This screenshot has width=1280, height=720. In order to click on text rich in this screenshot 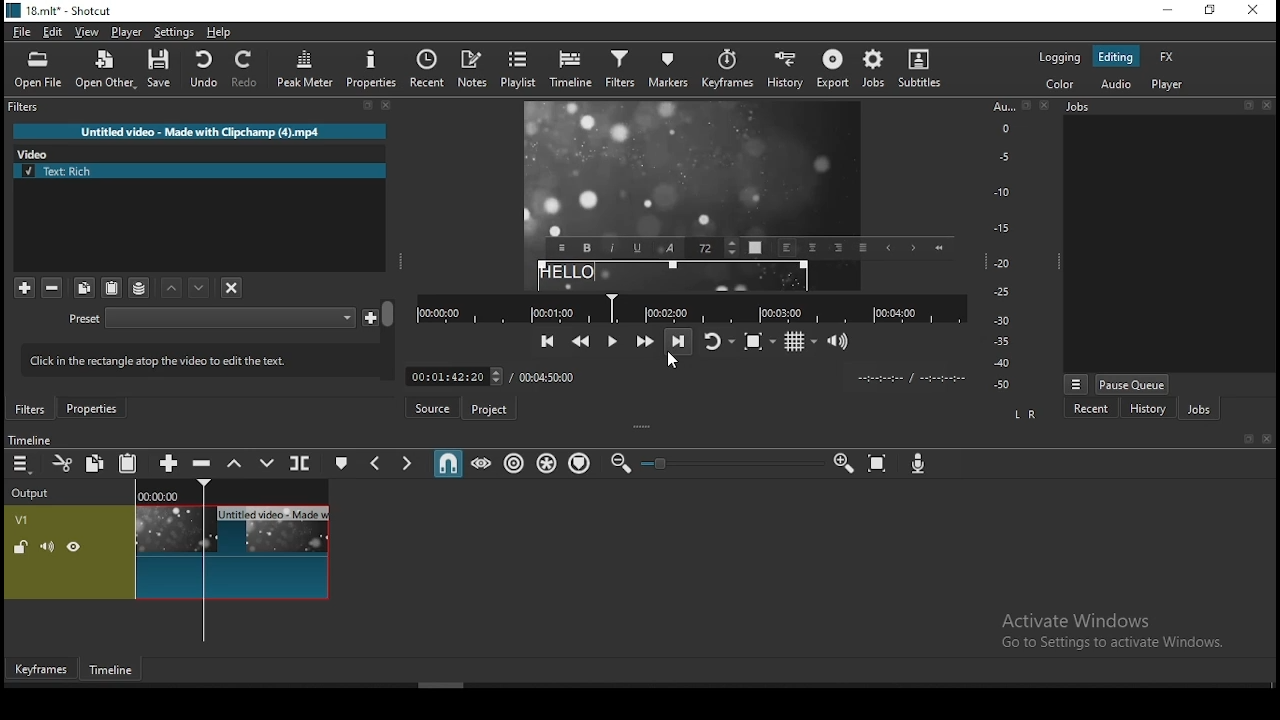, I will do `click(201, 171)`.